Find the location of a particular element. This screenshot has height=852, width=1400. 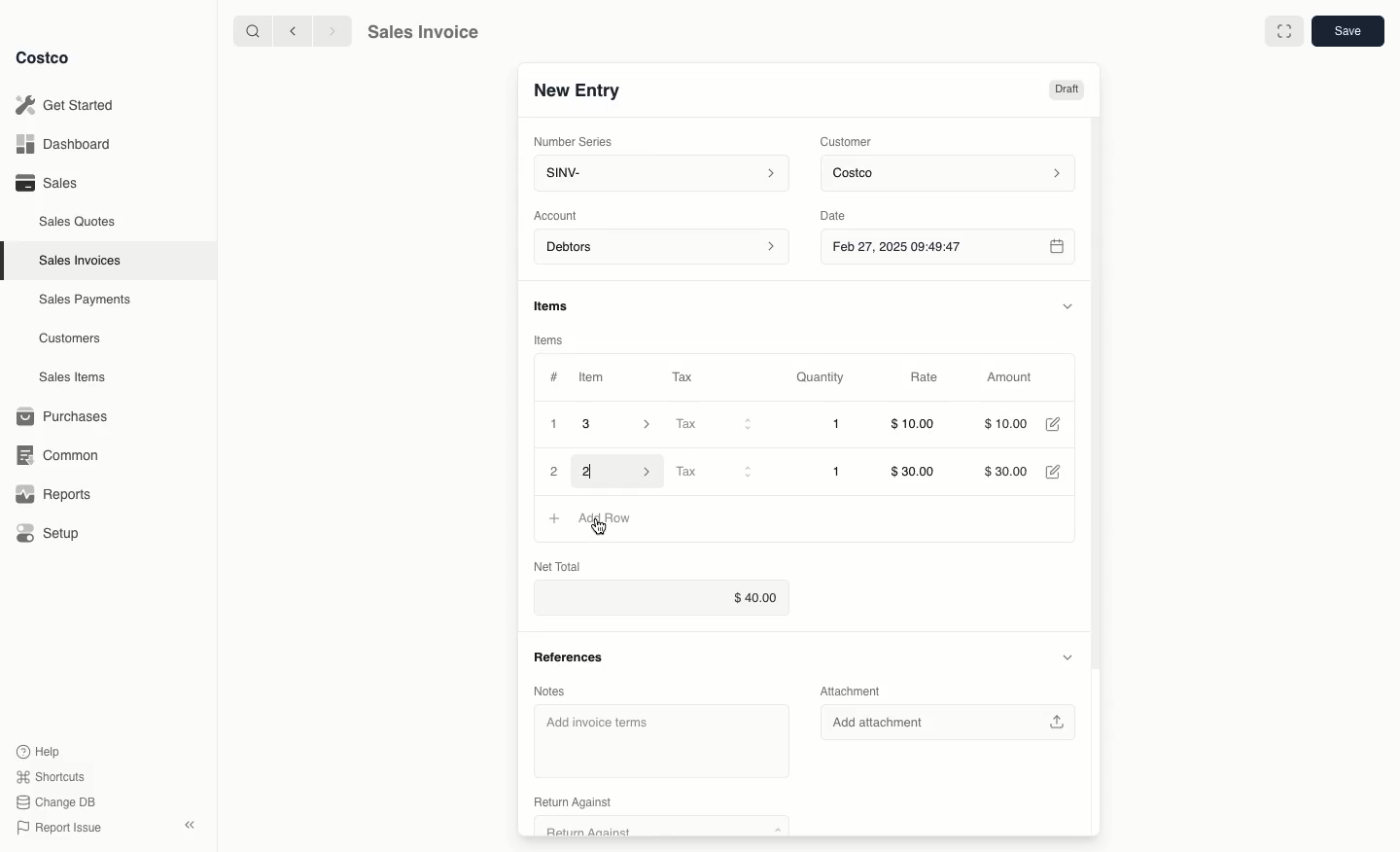

Hashtag is located at coordinates (553, 377).